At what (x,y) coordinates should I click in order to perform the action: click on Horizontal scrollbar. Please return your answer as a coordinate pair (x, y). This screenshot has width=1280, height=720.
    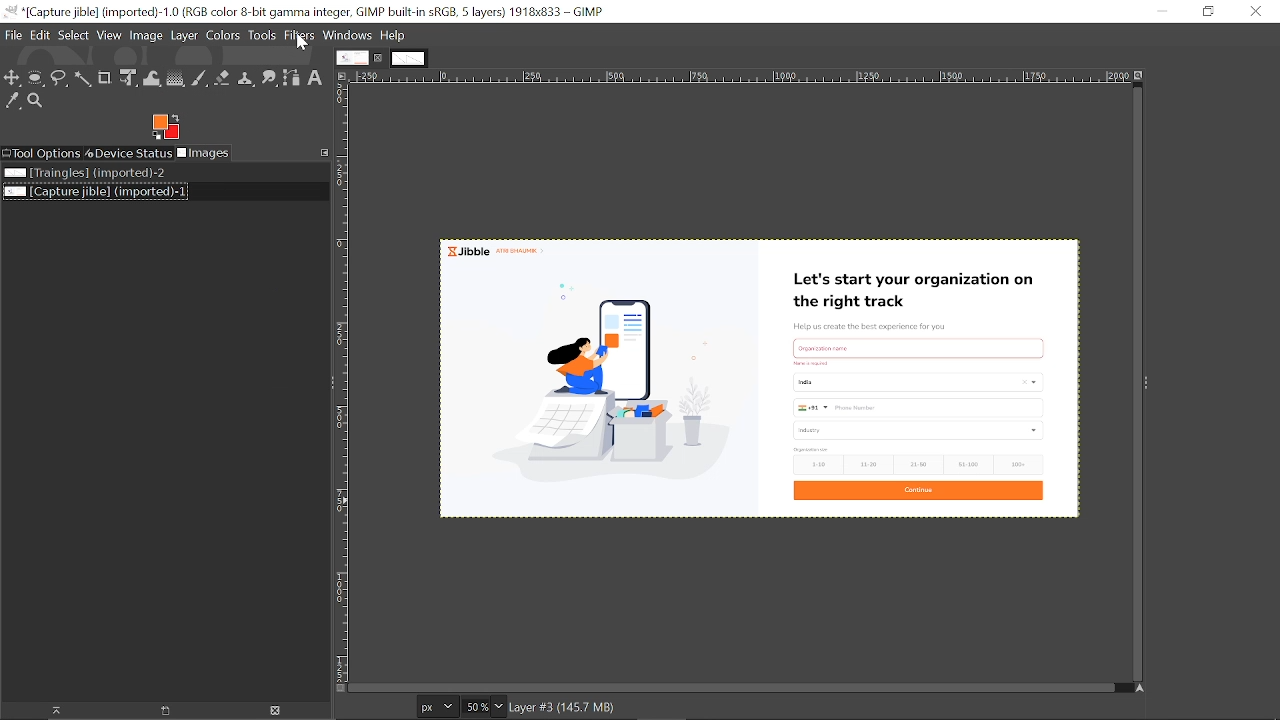
    Looking at the image, I should click on (731, 688).